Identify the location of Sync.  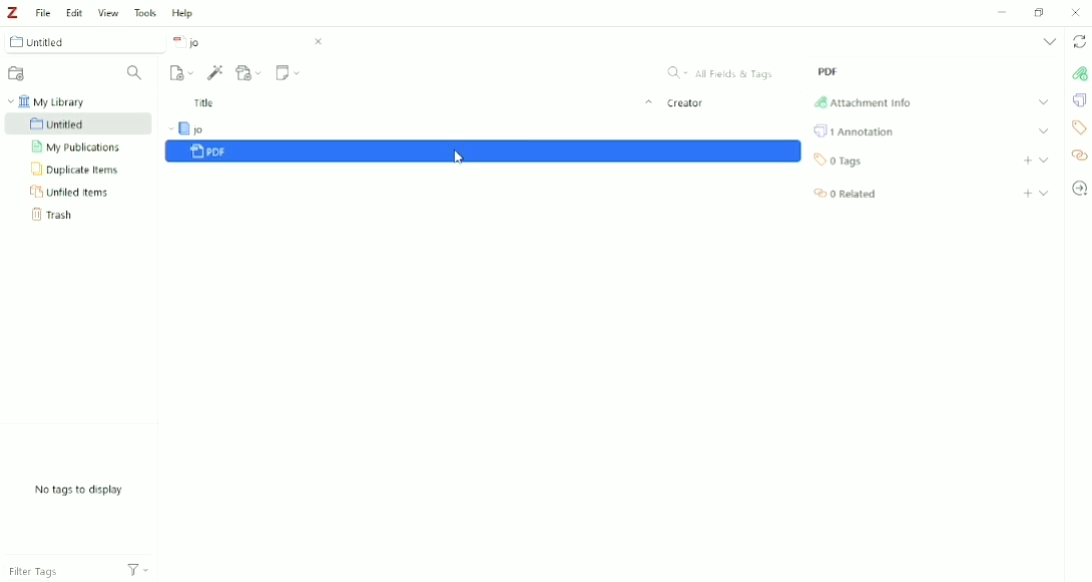
(1079, 42).